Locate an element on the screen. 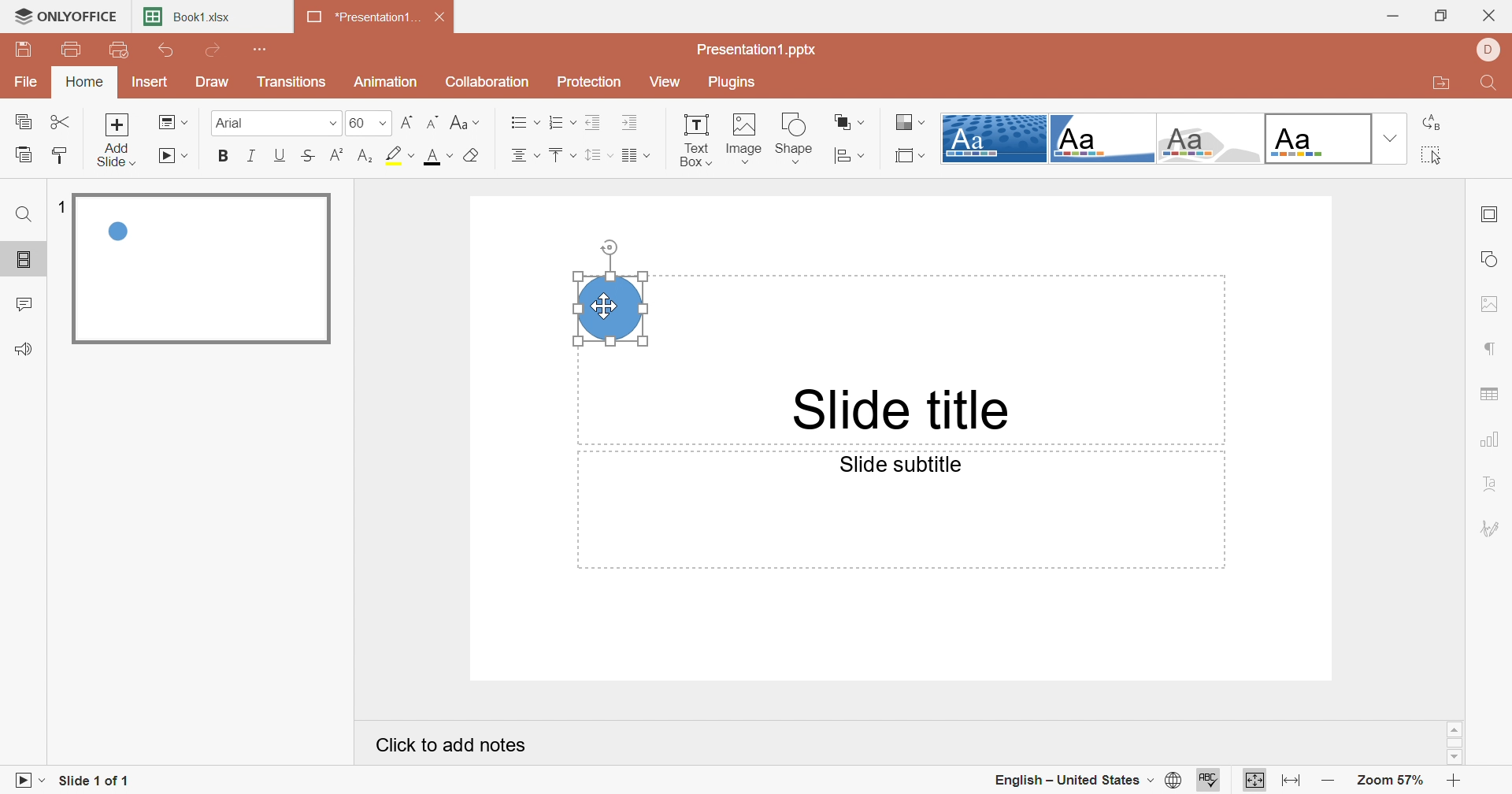 The image size is (1512, 794). Slides is located at coordinates (22, 260).